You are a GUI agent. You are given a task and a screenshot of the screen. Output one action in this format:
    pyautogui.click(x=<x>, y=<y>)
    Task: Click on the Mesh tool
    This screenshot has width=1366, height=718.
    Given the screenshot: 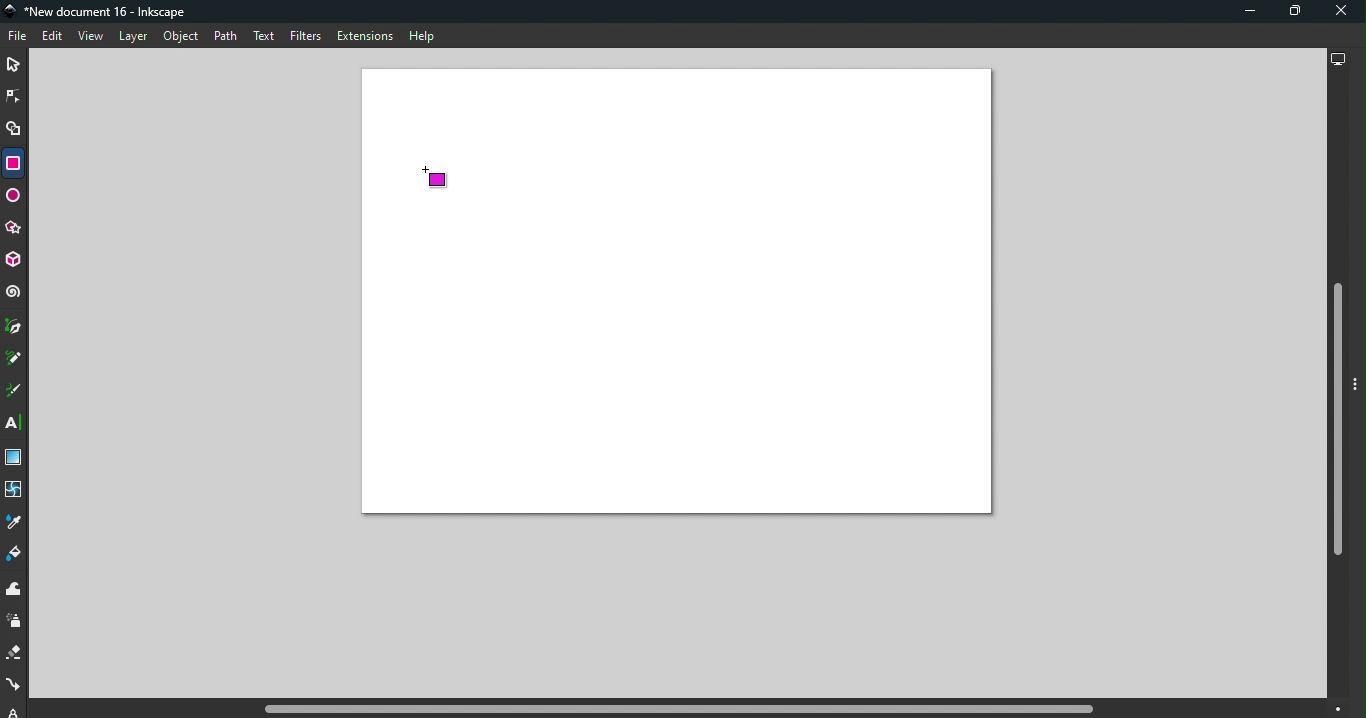 What is the action you would take?
    pyautogui.click(x=15, y=491)
    